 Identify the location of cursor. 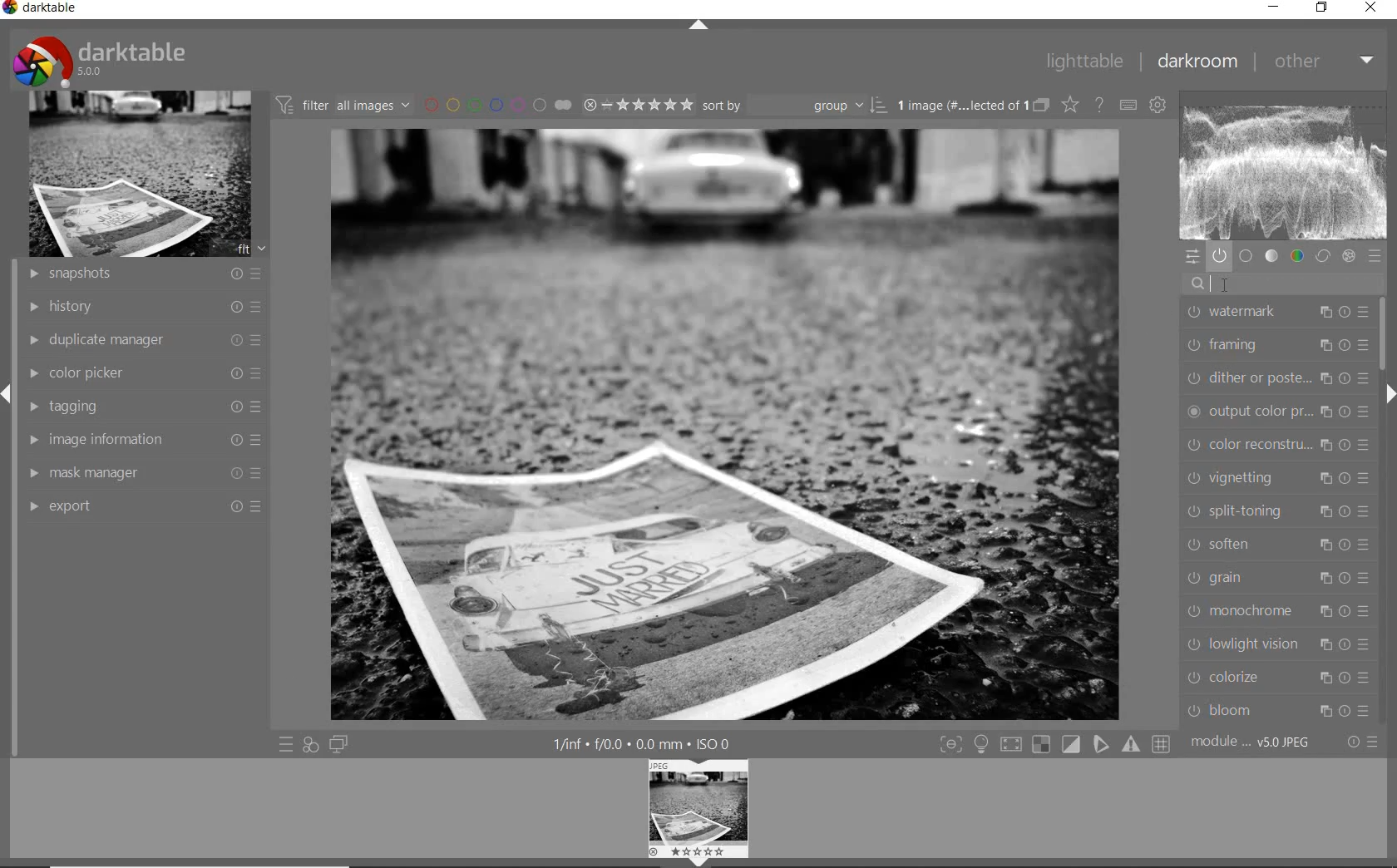
(1212, 286).